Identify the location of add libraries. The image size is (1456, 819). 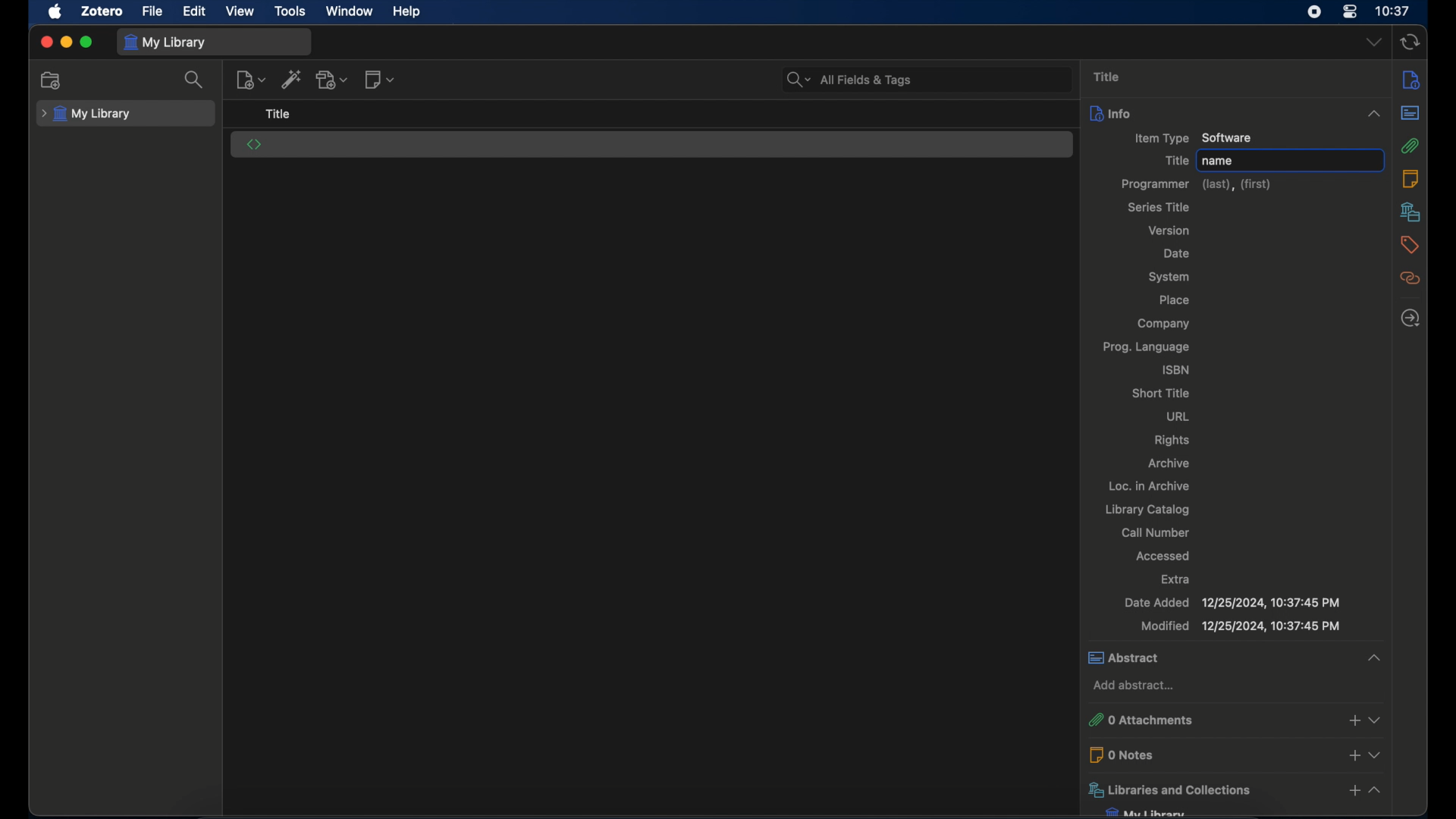
(1350, 791).